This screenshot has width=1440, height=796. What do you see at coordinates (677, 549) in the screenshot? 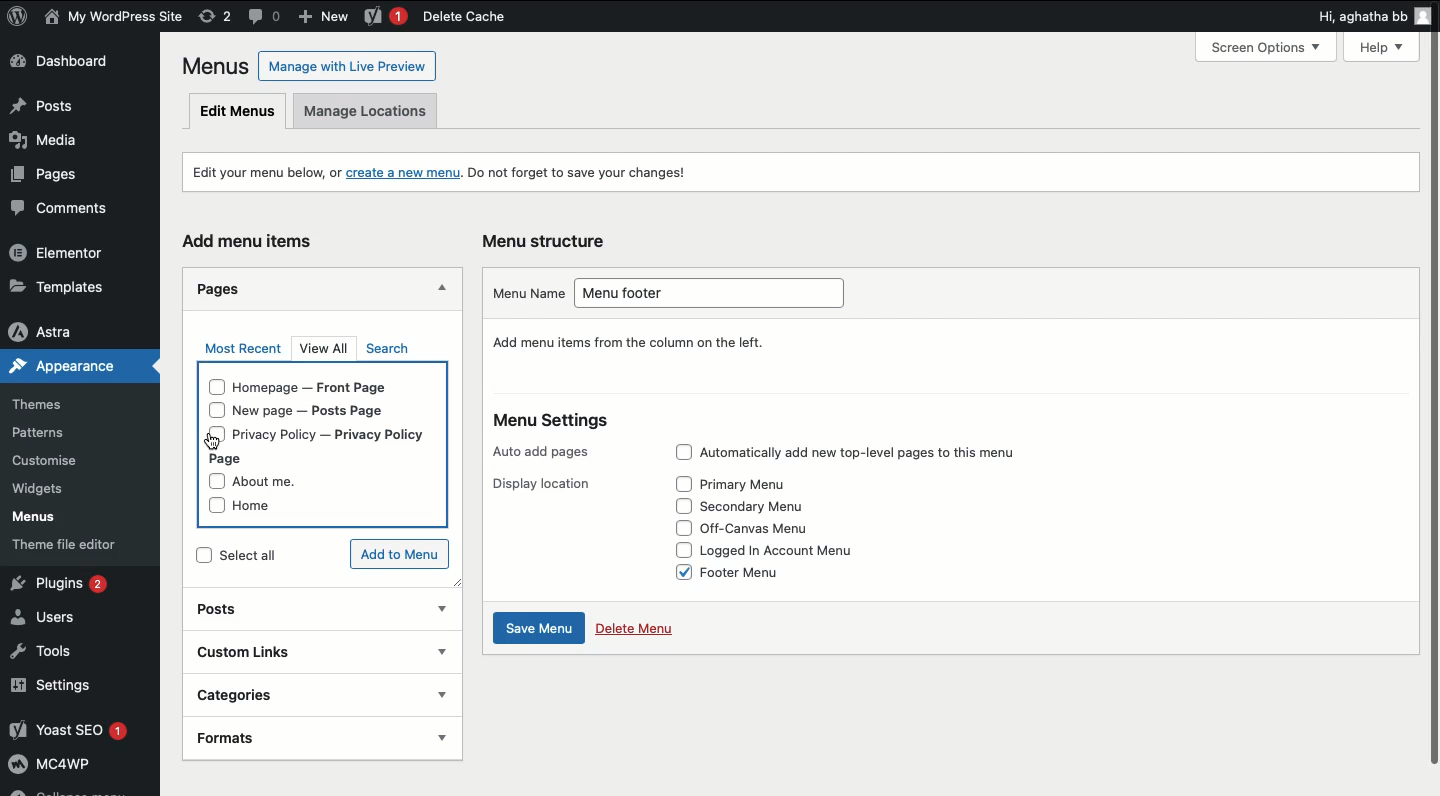
I see `Check box` at bounding box center [677, 549].